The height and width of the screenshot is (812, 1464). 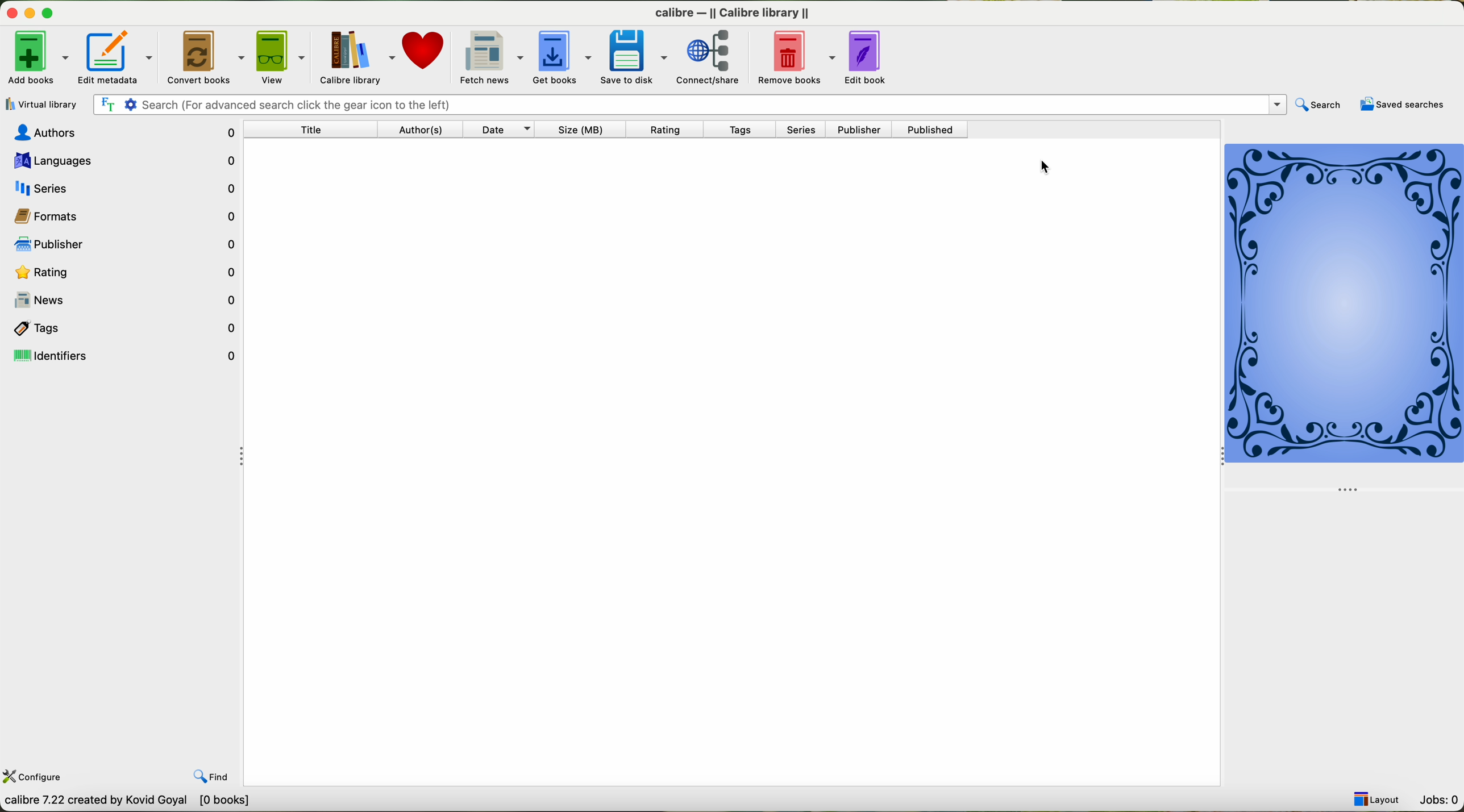 I want to click on tags, so click(x=120, y=329).